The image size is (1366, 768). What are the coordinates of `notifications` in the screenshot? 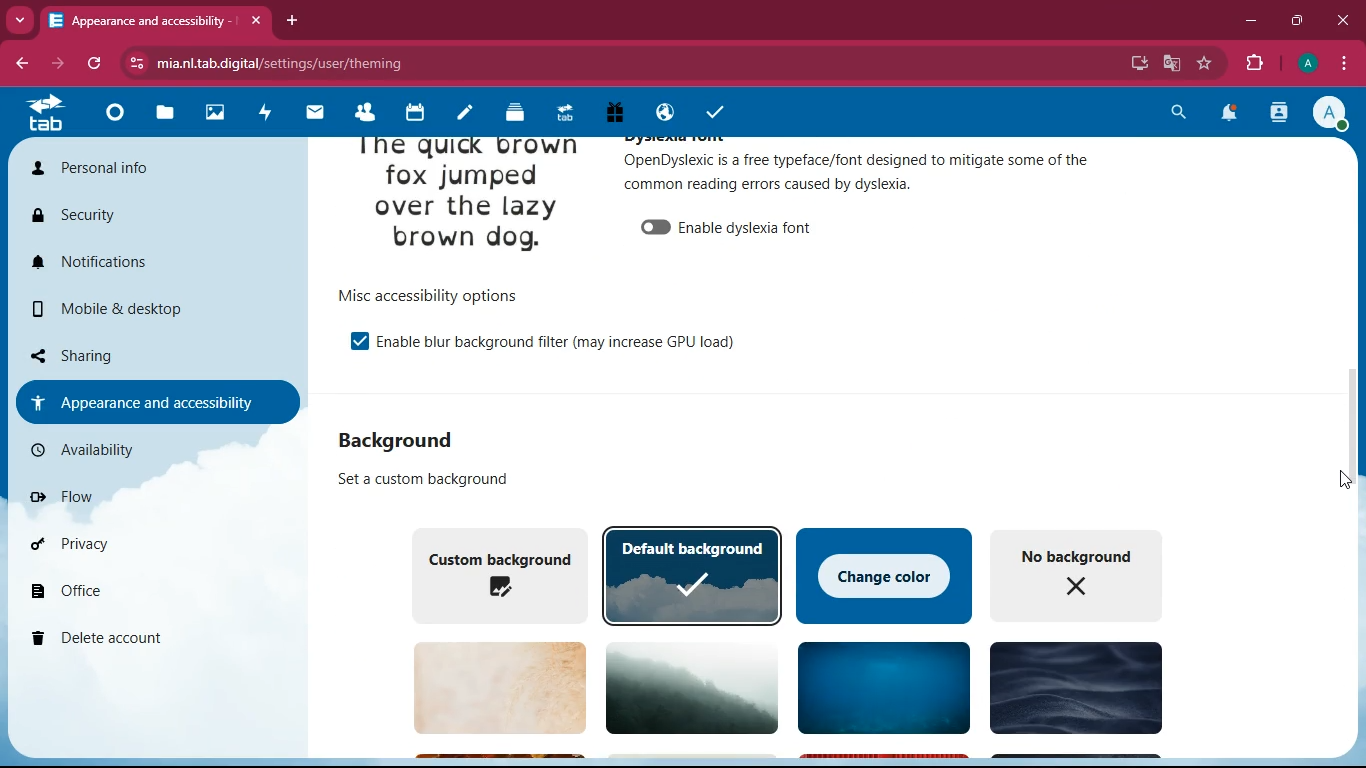 It's located at (1230, 114).